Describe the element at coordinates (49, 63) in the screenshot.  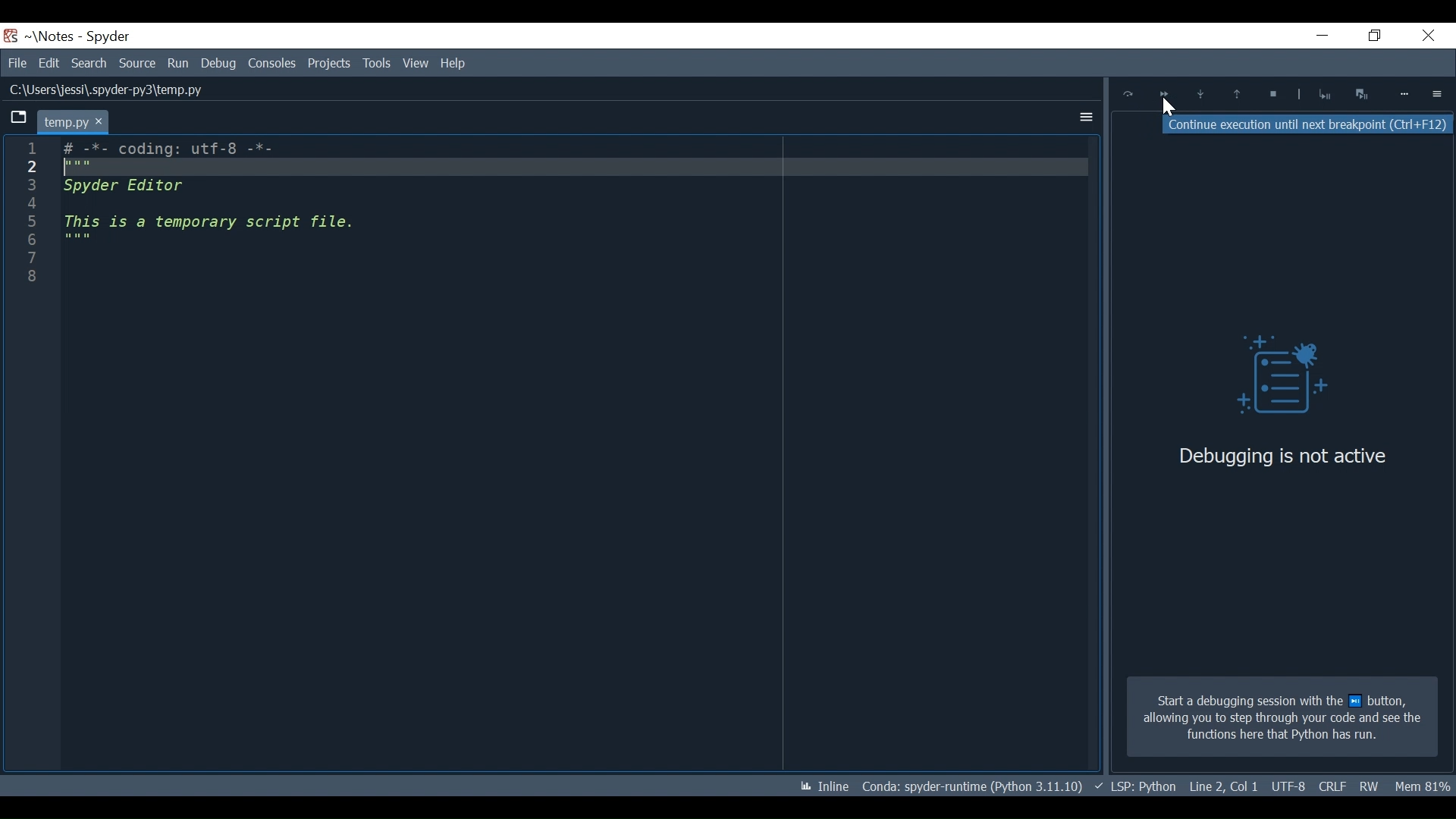
I see `Edit` at that location.